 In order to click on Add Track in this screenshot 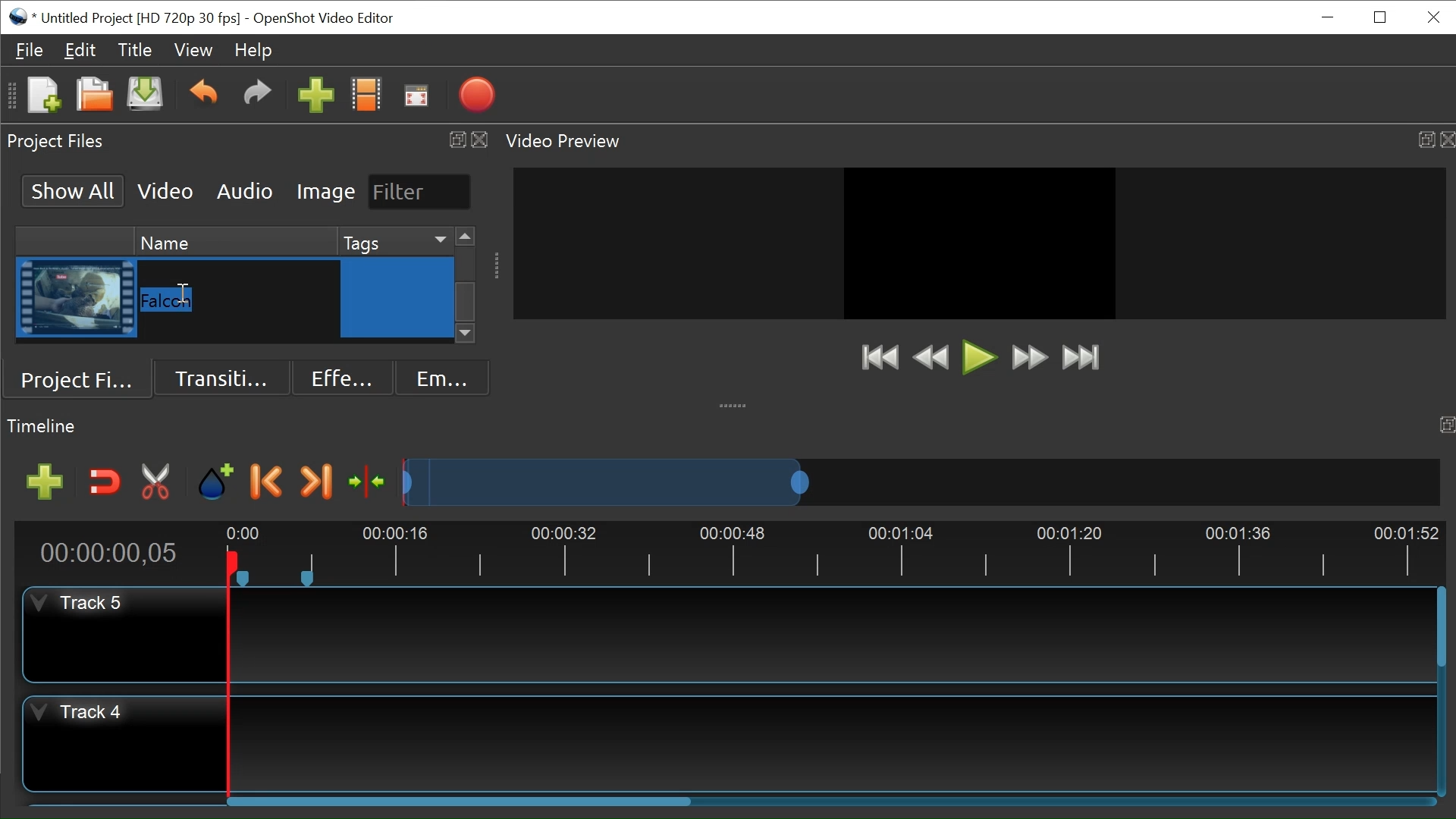, I will do `click(39, 482)`.